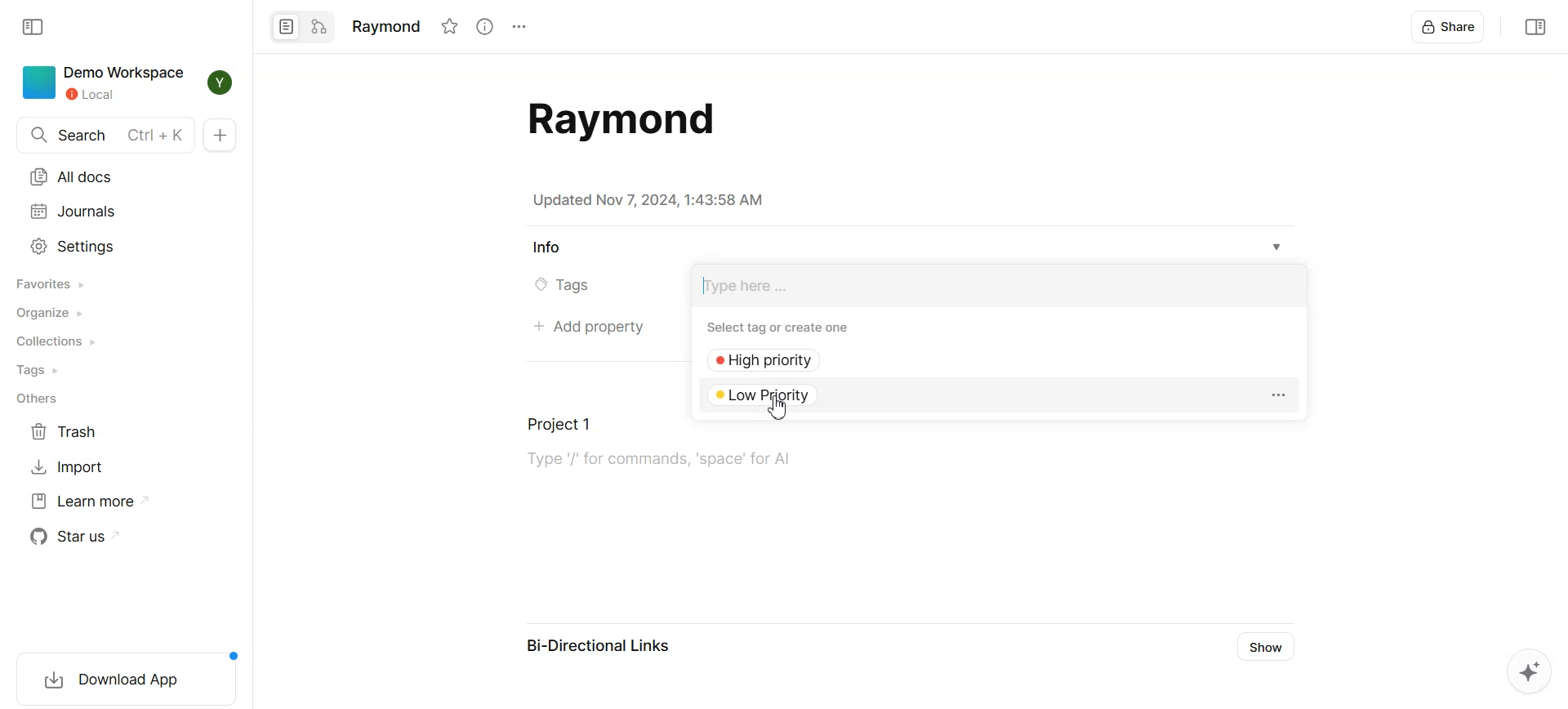 The image size is (1568, 709). Describe the element at coordinates (319, 27) in the screenshot. I see `Edgeless` at that location.